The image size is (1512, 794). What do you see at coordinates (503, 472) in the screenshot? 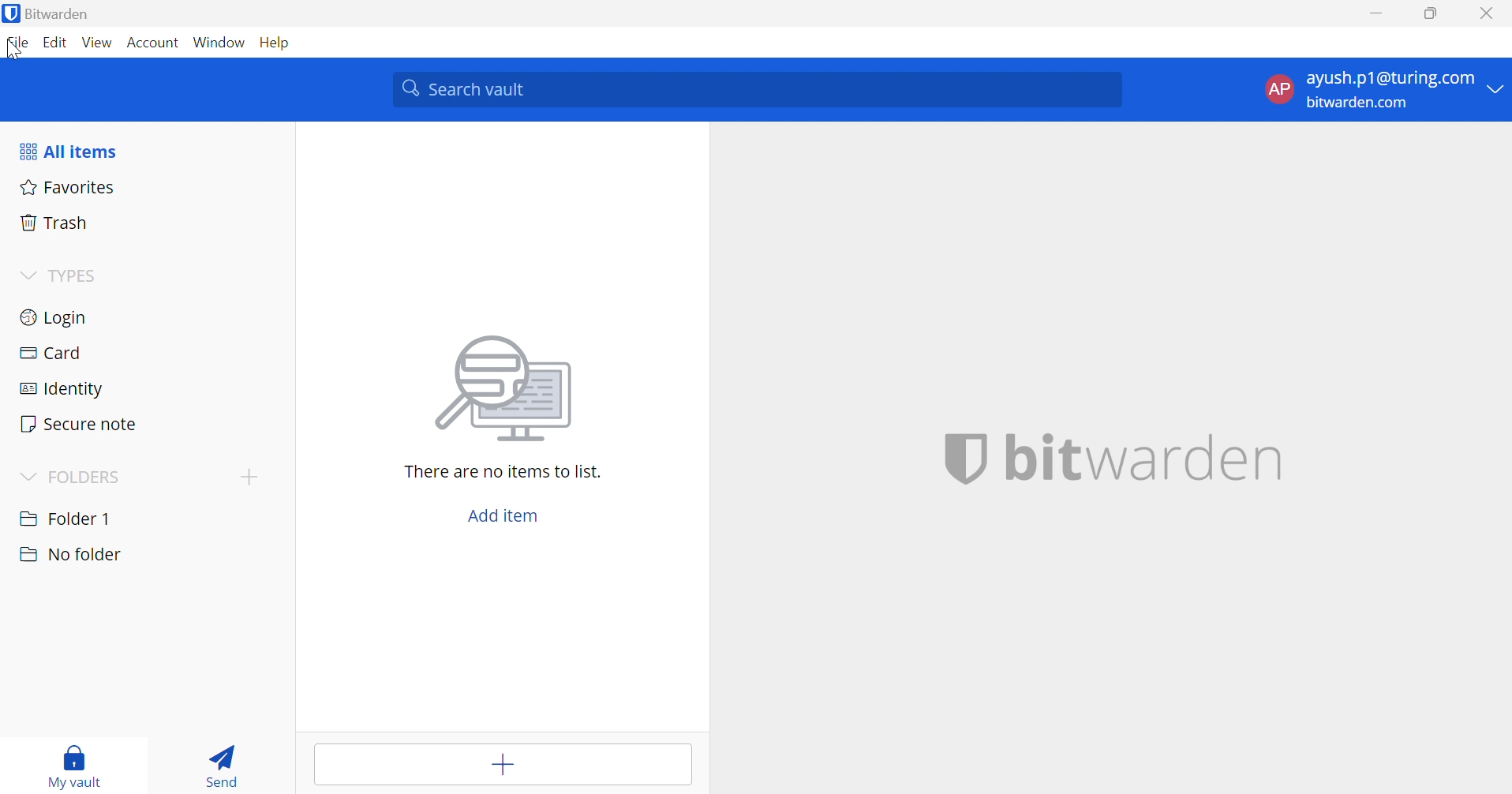
I see `There are no items to list.` at bounding box center [503, 472].